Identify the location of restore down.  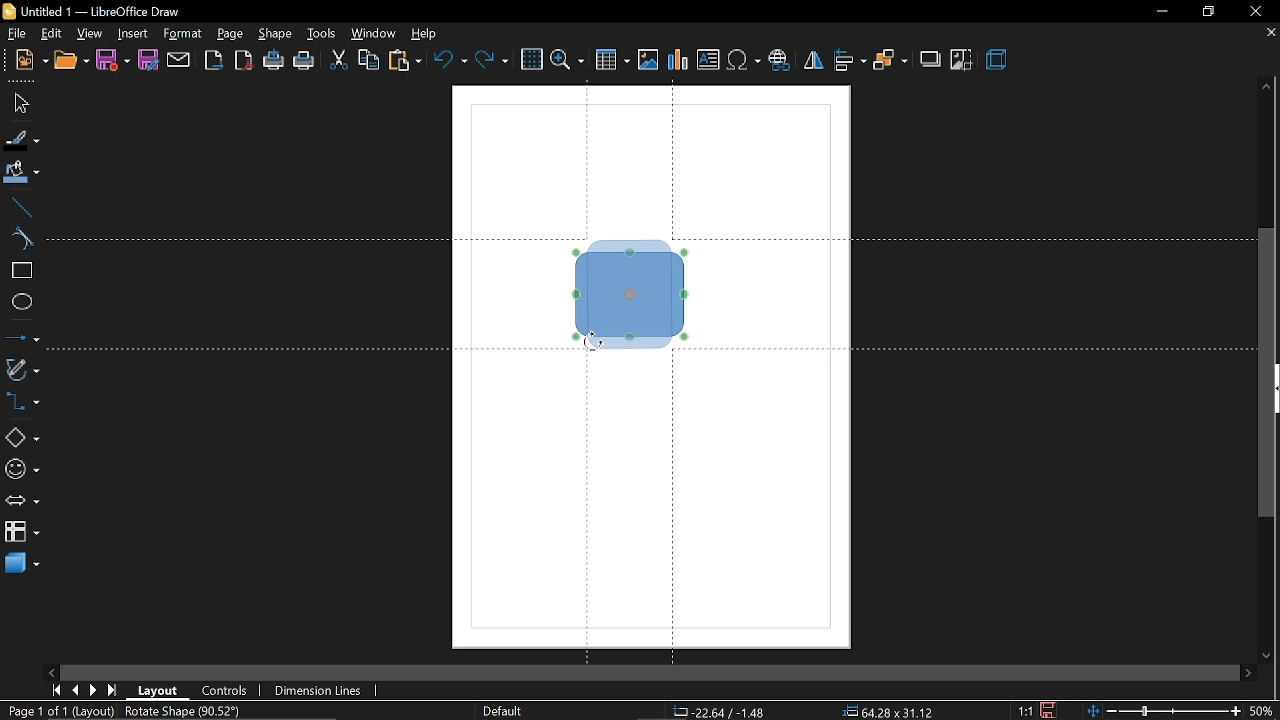
(1204, 13).